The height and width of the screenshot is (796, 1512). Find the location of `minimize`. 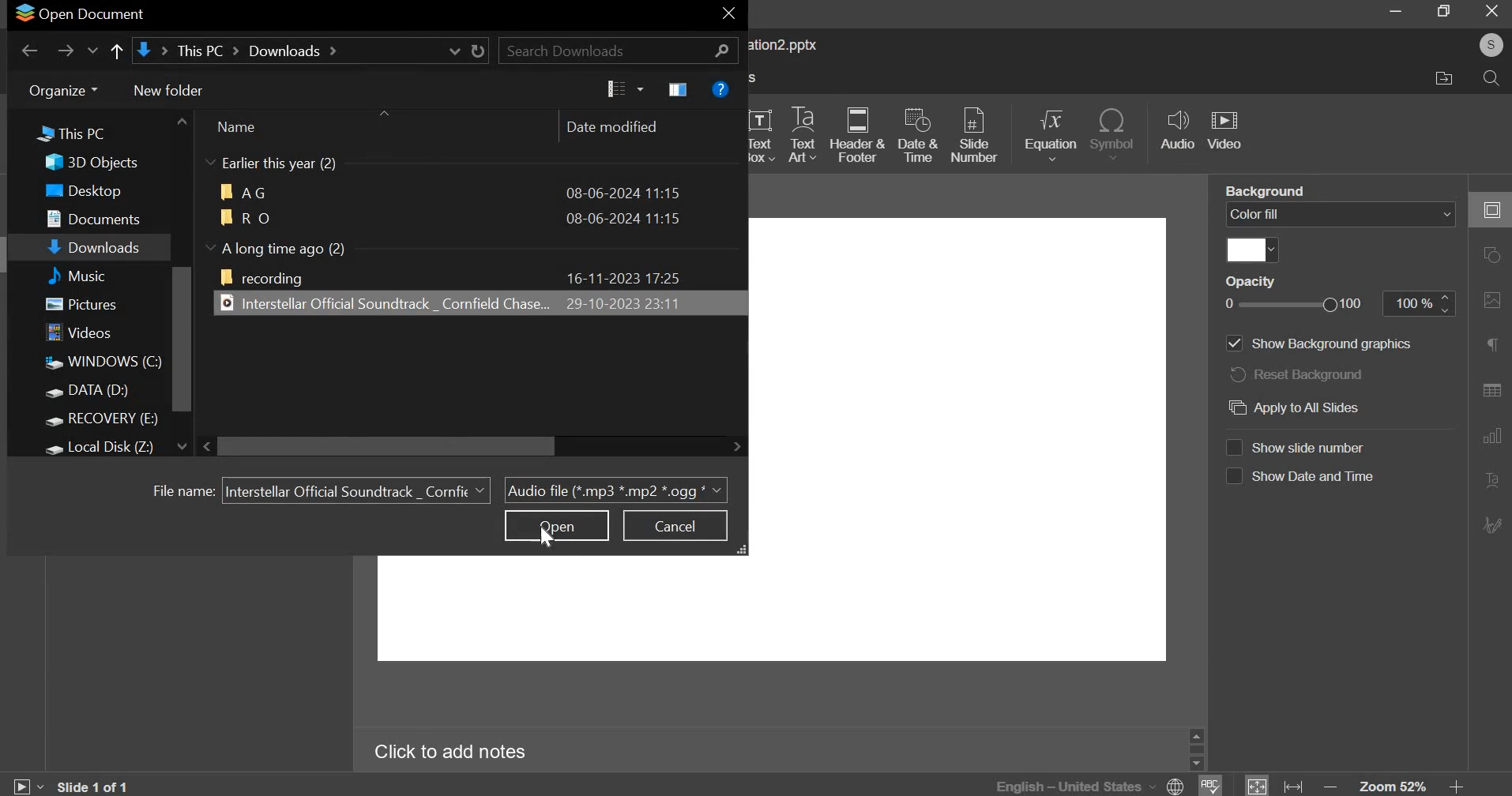

minimize is located at coordinates (1393, 14).